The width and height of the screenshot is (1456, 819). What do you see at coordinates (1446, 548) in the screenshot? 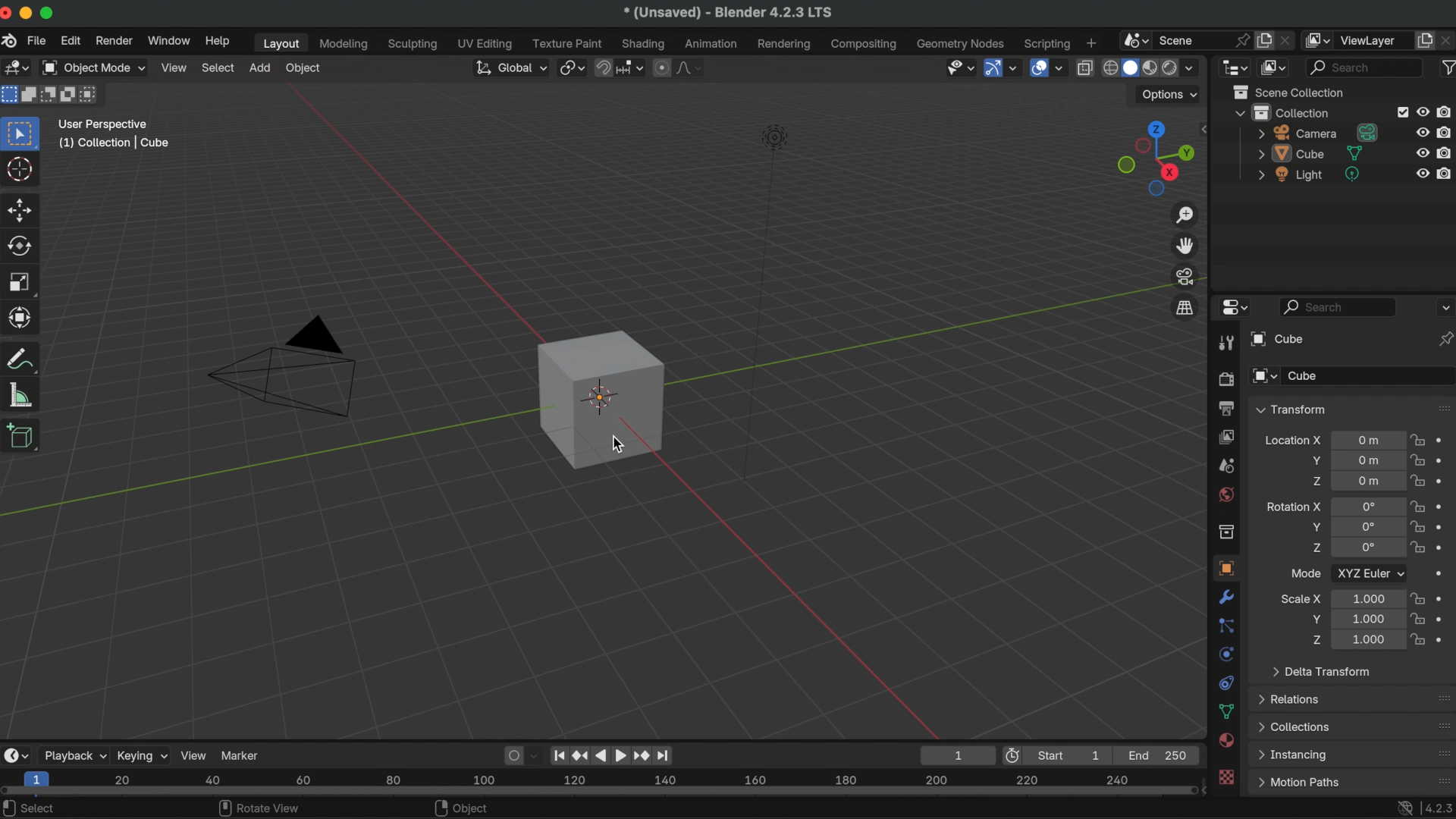
I see `animate property` at bounding box center [1446, 548].